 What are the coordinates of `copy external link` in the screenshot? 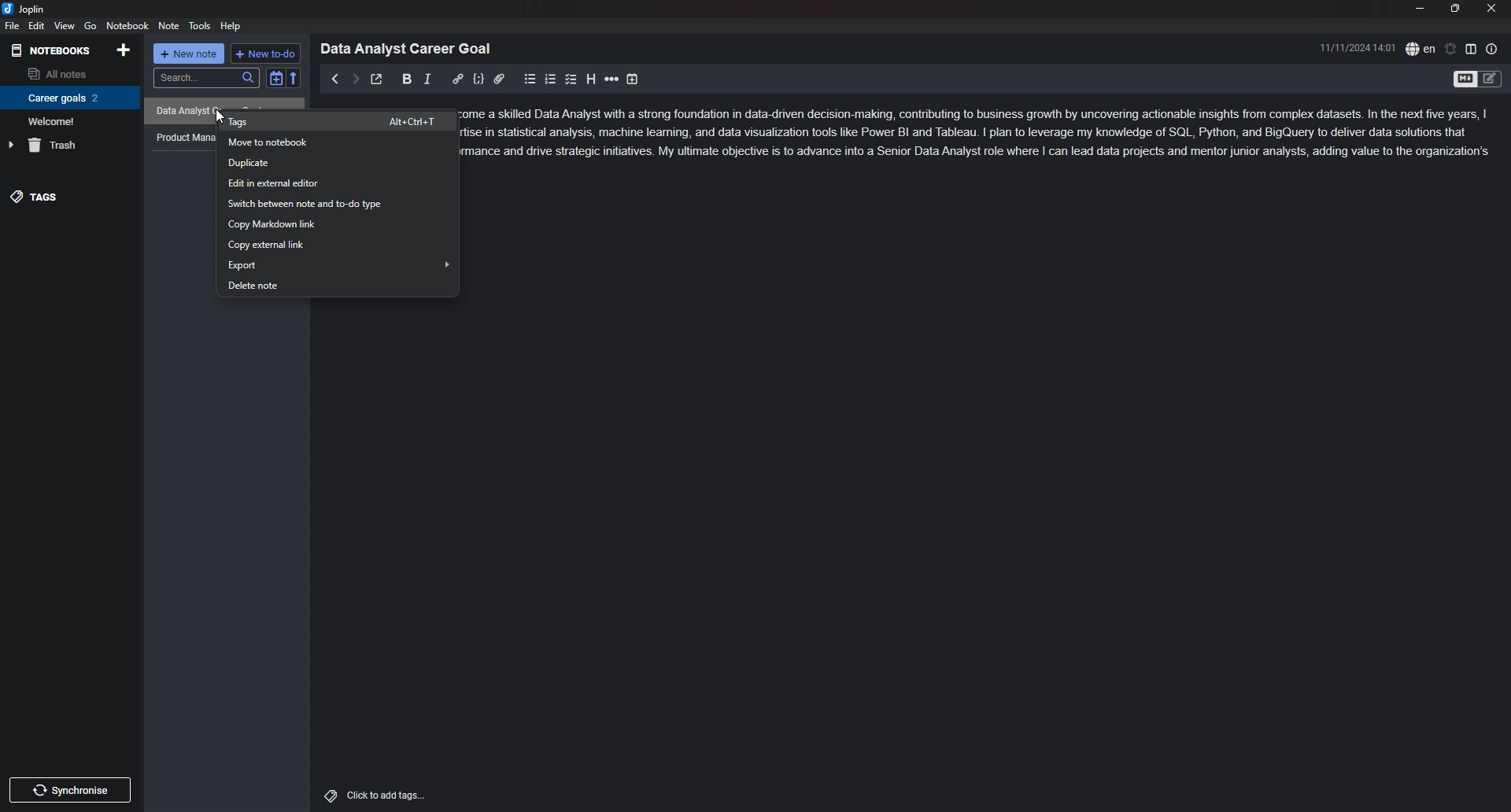 It's located at (335, 245).